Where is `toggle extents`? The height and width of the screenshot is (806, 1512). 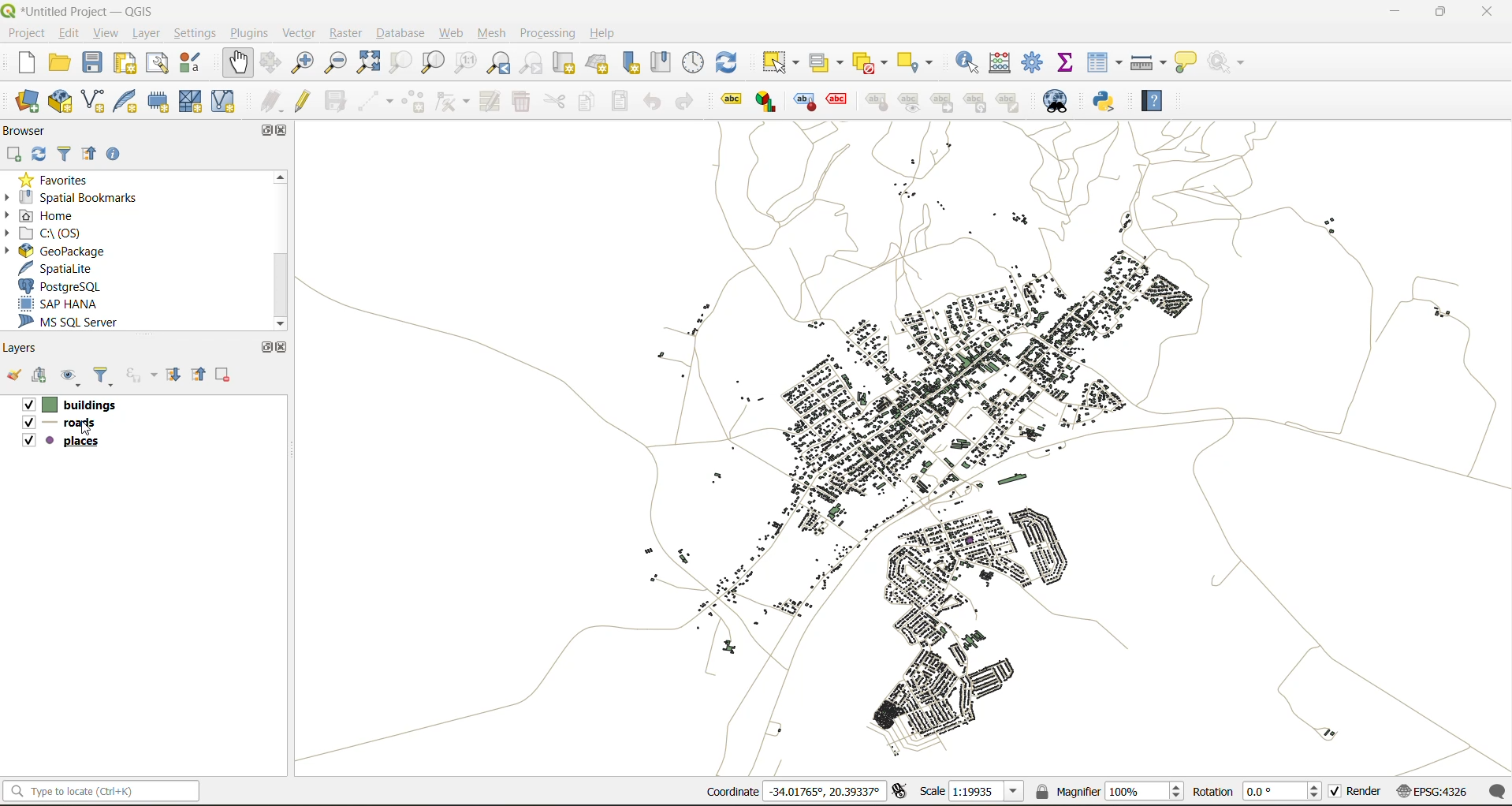
toggle extents is located at coordinates (902, 792).